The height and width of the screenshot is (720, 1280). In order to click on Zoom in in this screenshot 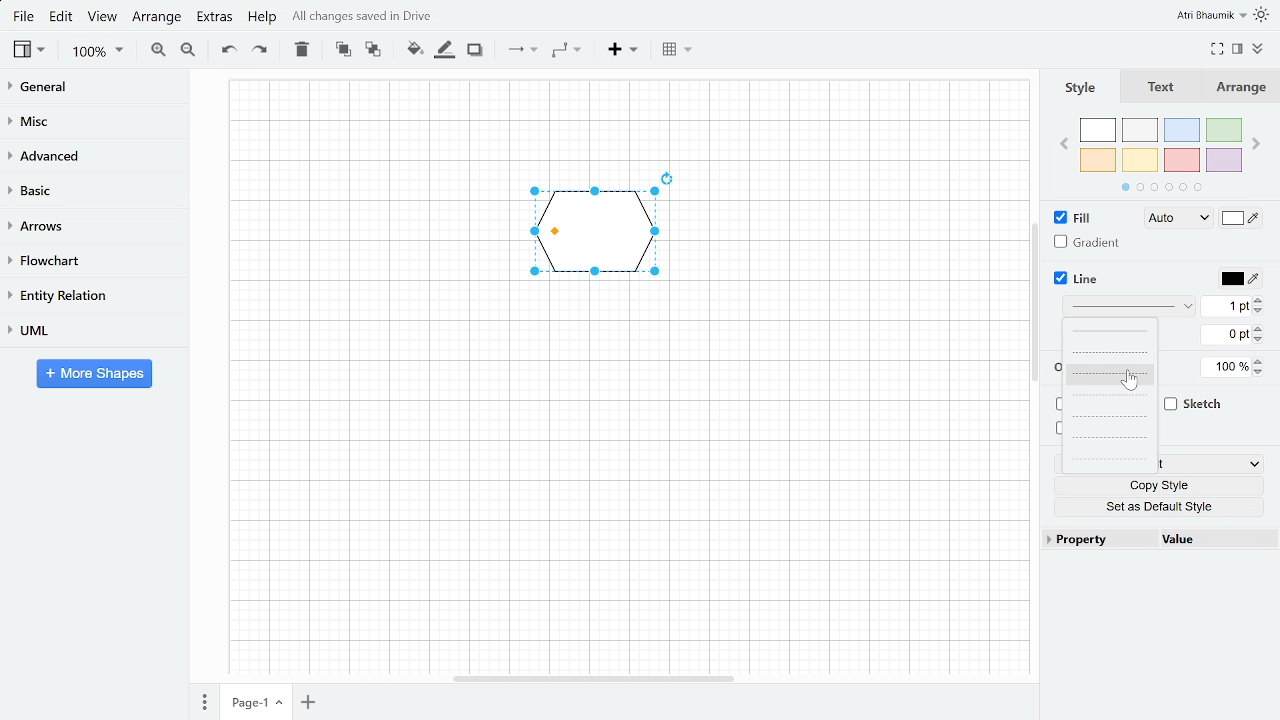, I will do `click(156, 52)`.